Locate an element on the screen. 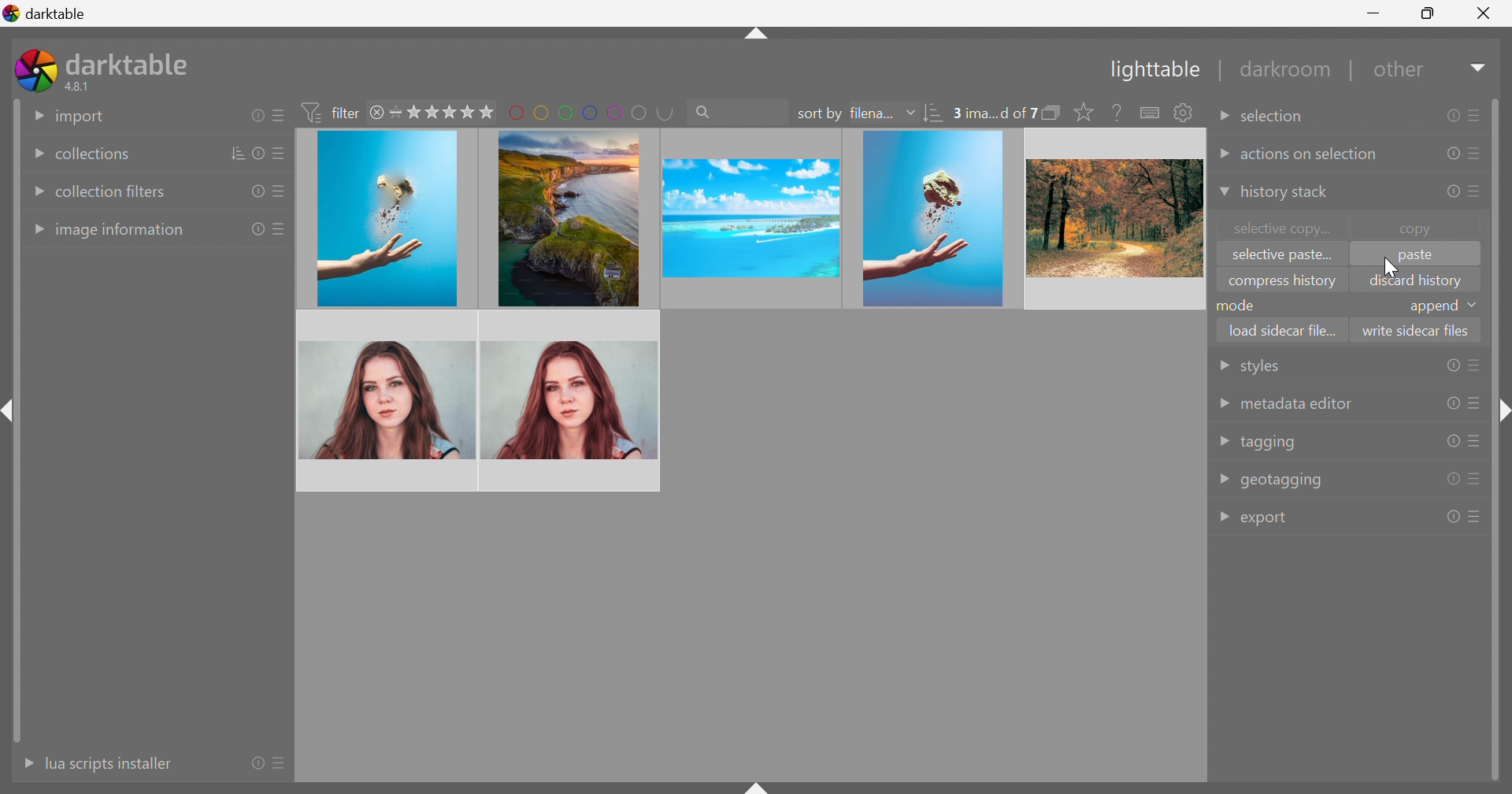 This screenshot has width=1512, height=794. collections is located at coordinates (91, 155).